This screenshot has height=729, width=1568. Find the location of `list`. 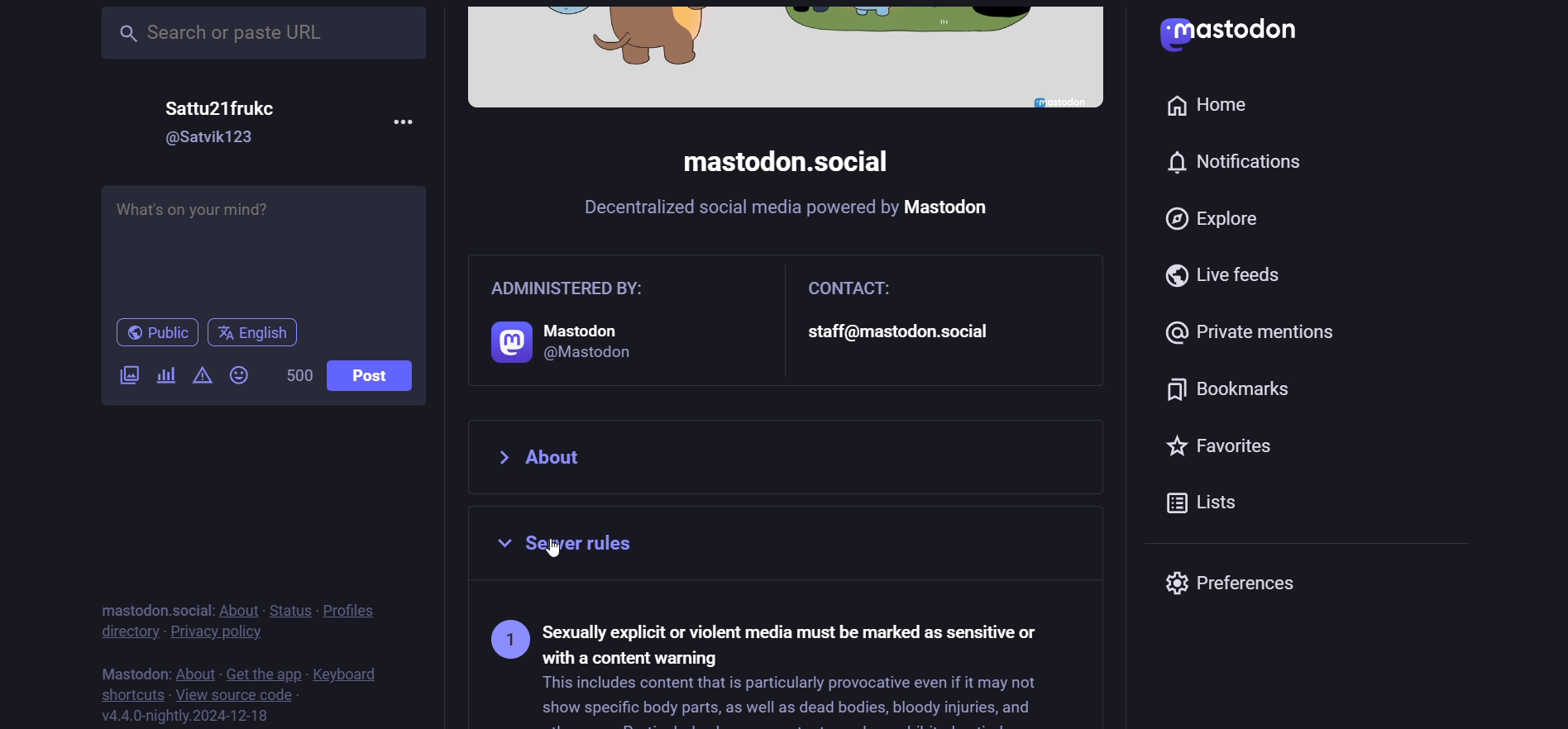

list is located at coordinates (1215, 507).